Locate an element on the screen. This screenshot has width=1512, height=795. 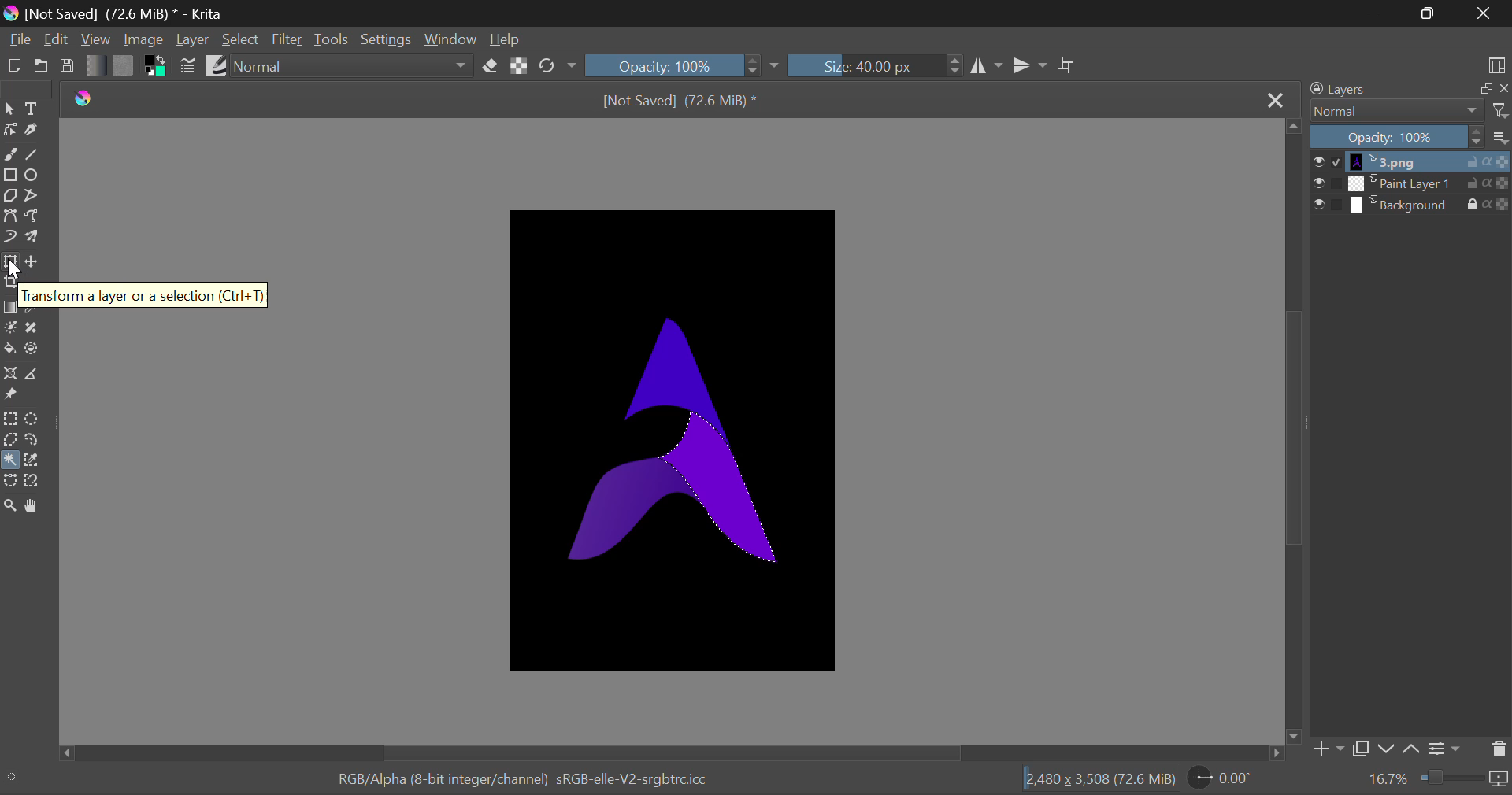
more options is located at coordinates (1499, 139).